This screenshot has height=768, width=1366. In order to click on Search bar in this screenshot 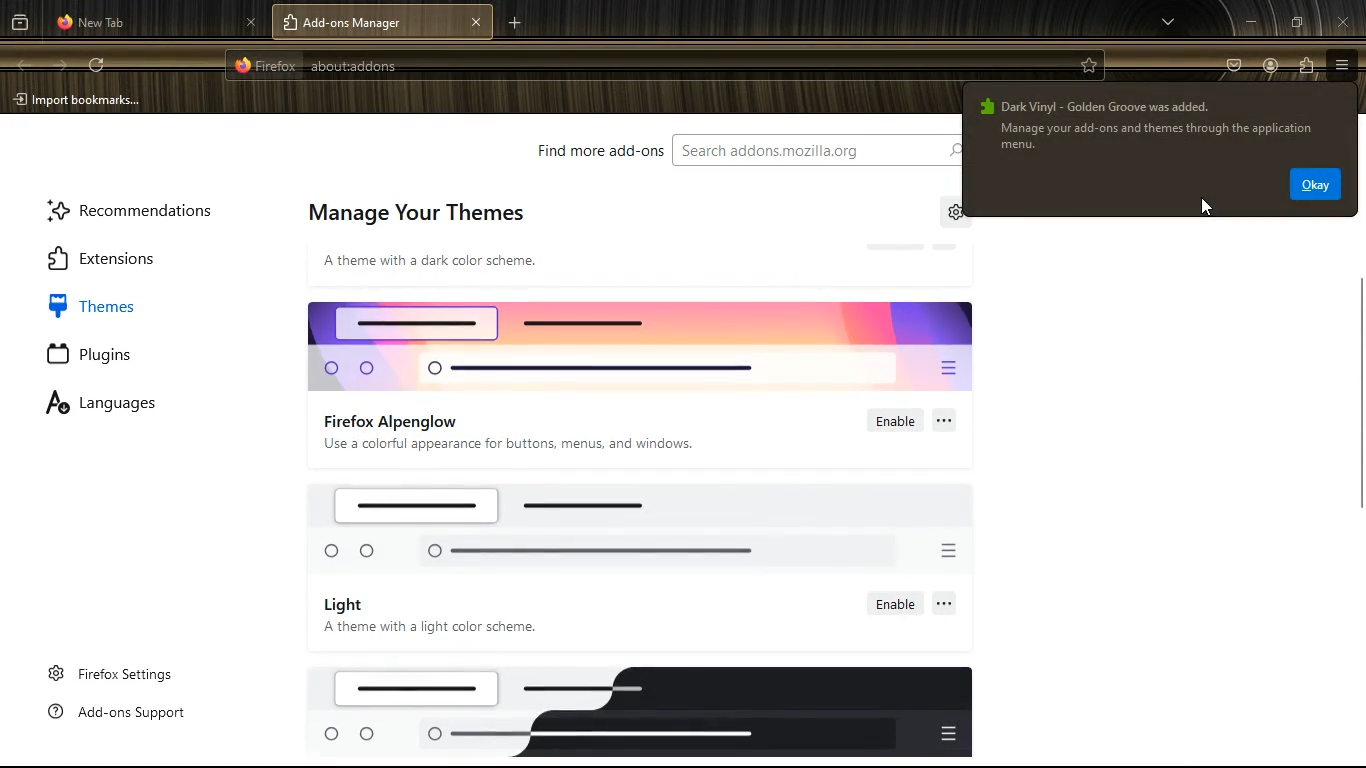, I will do `click(670, 65)`.